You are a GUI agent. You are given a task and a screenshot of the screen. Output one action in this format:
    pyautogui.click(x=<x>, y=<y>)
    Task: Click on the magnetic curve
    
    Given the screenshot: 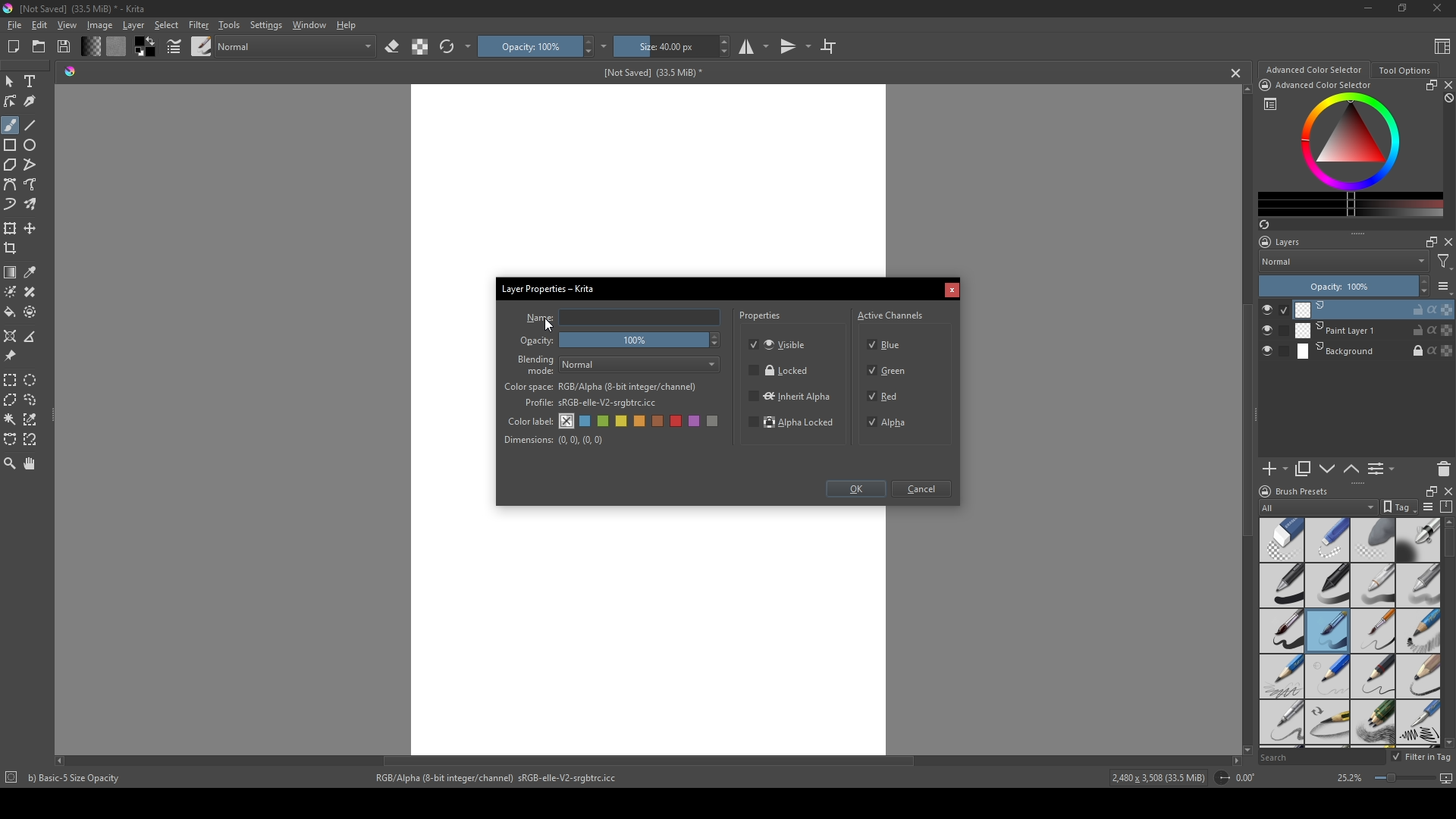 What is the action you would take?
    pyautogui.click(x=32, y=441)
    